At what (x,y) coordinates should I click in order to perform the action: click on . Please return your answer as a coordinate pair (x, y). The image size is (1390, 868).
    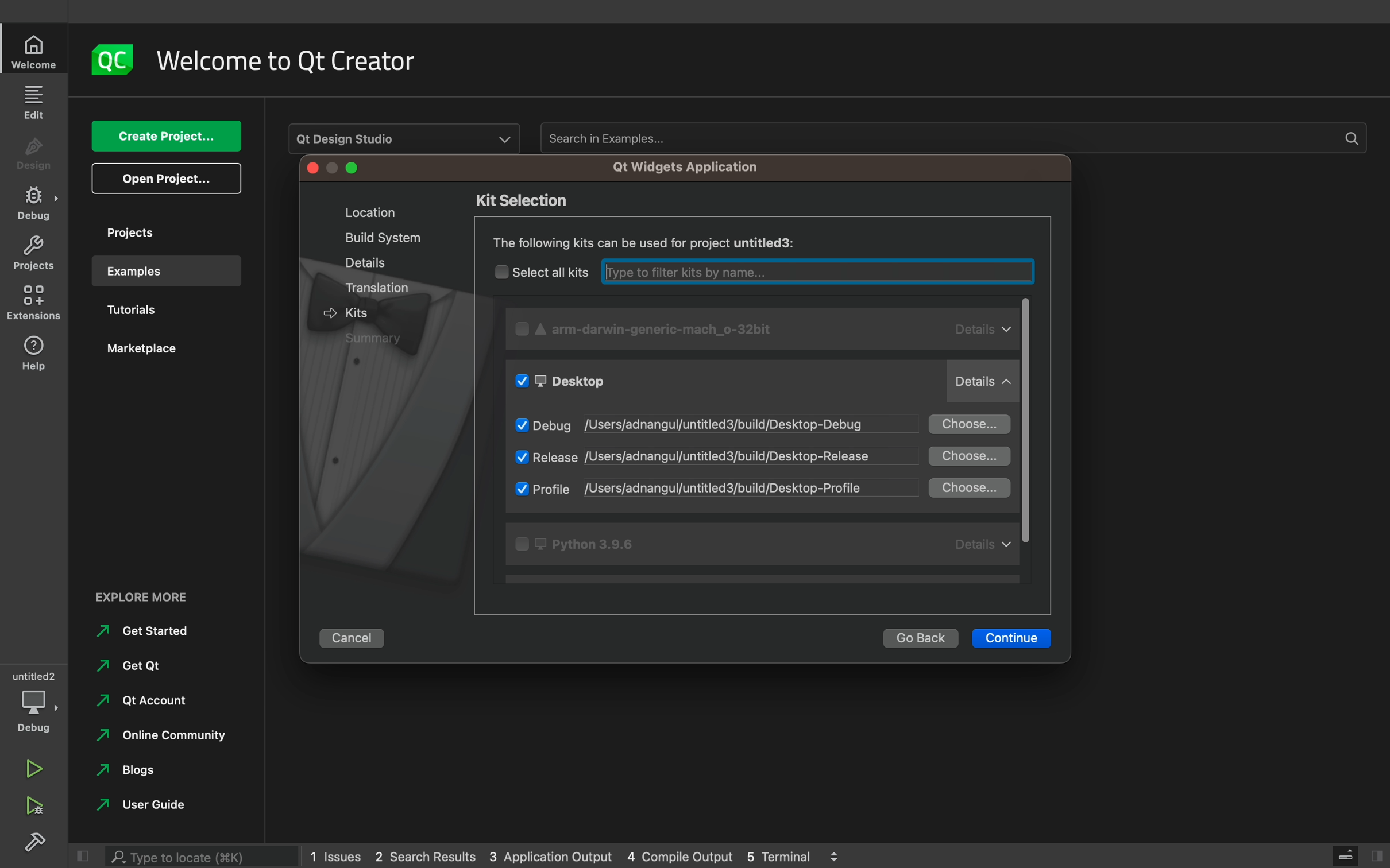
    Looking at the image, I should click on (130, 774).